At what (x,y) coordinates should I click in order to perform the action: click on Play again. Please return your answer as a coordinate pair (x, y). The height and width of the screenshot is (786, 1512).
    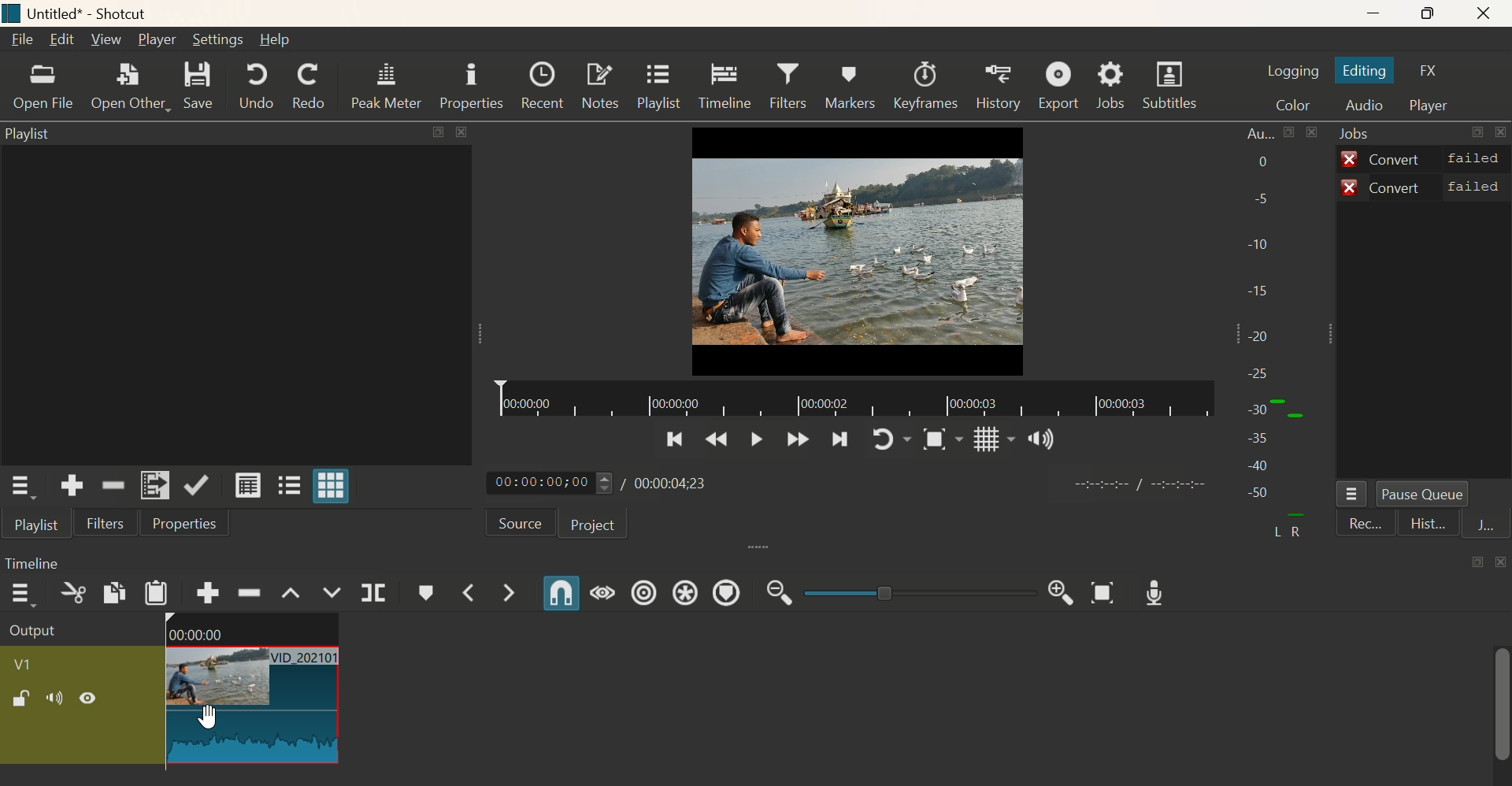
    Looking at the image, I should click on (893, 439).